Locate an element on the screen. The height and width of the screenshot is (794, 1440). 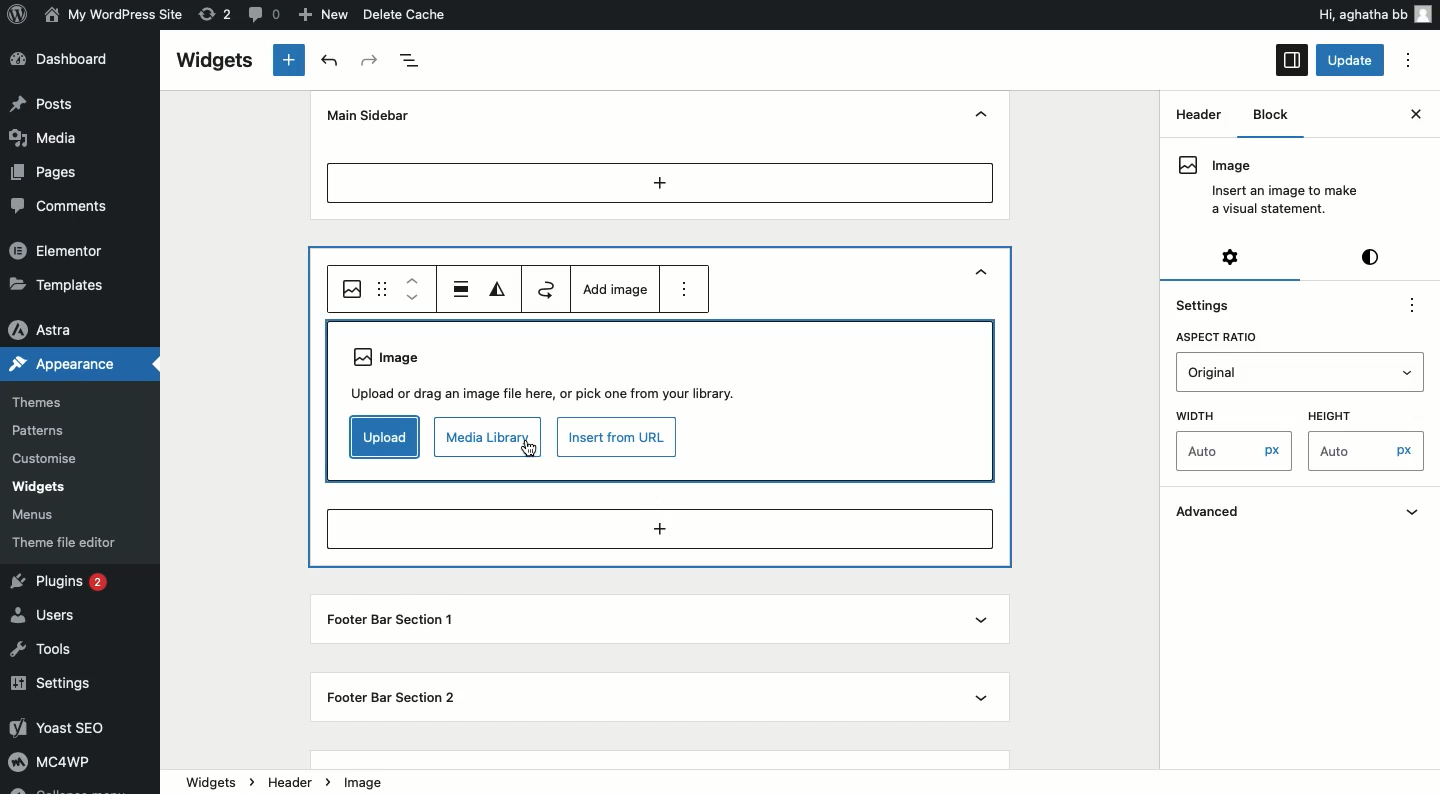
Widgets is located at coordinates (211, 780).